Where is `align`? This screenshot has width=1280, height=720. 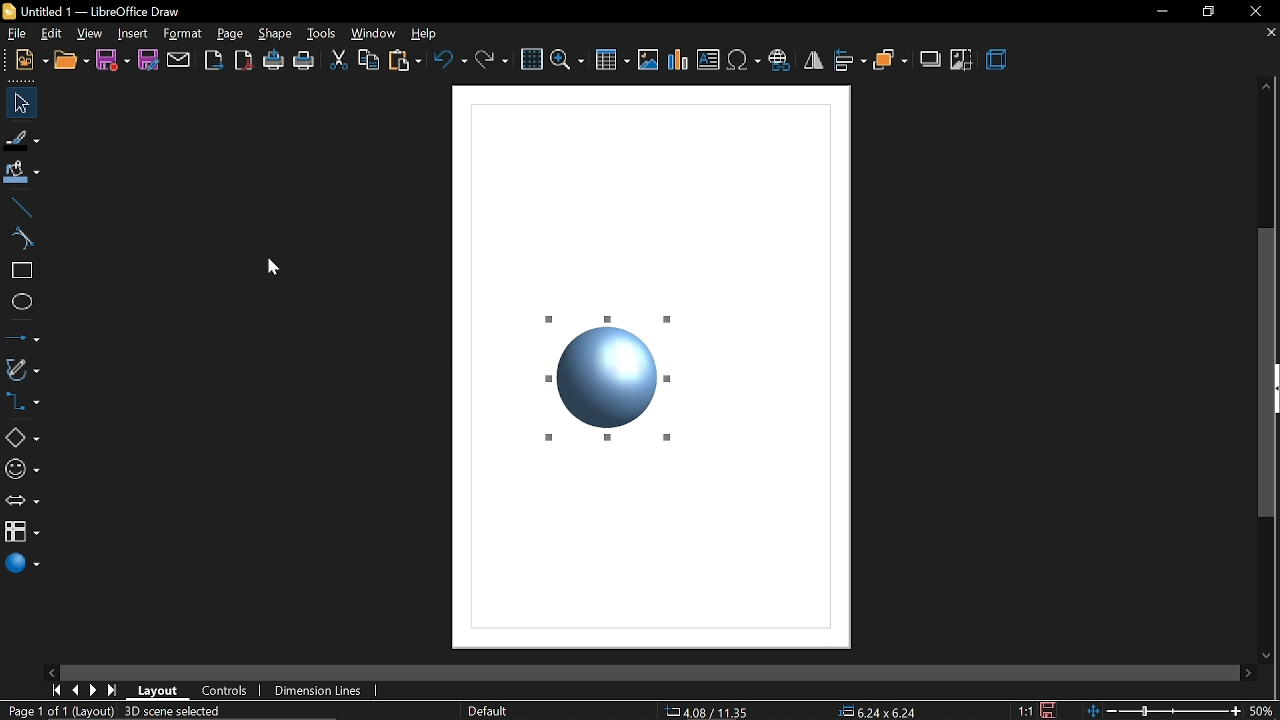 align is located at coordinates (850, 59).